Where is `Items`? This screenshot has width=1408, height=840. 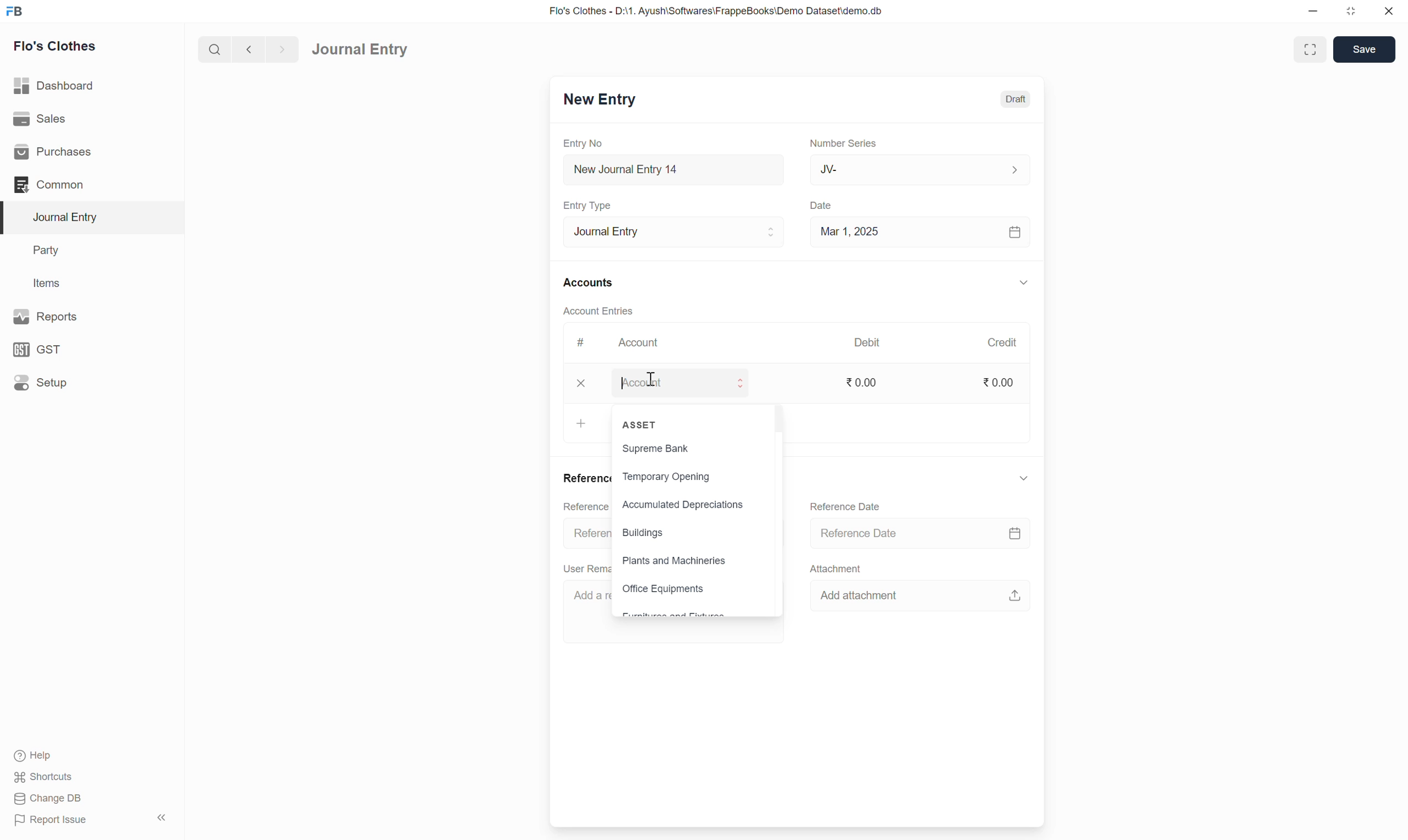
Items is located at coordinates (46, 282).